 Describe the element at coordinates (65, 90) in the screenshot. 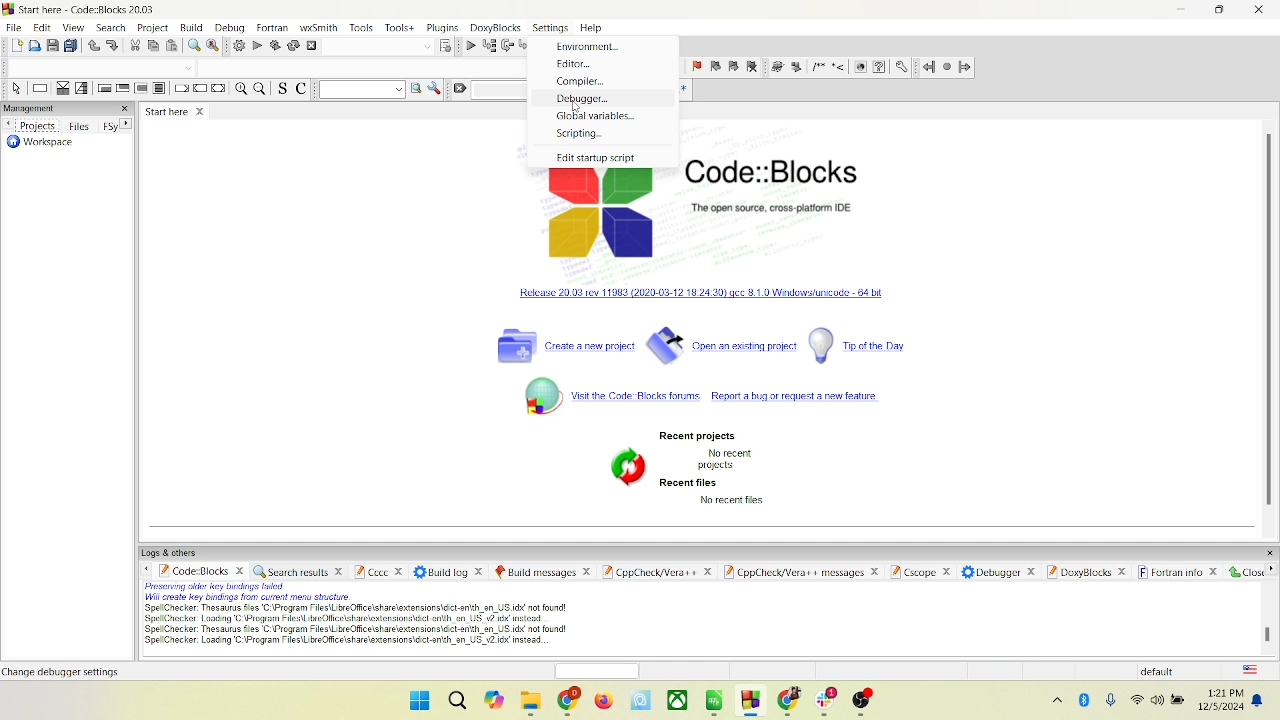

I see `decision` at that location.